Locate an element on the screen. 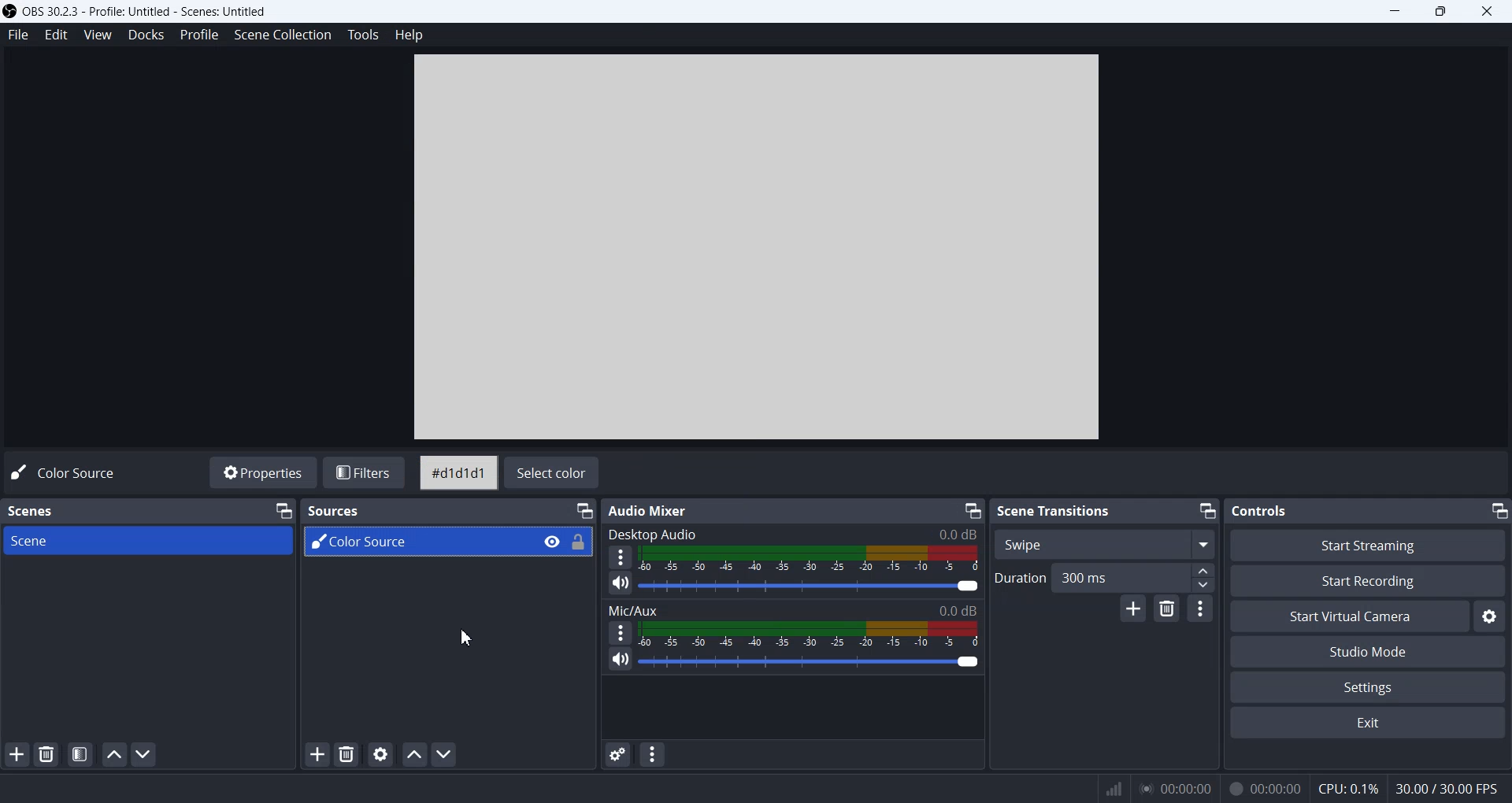  Scene Collection is located at coordinates (283, 35).